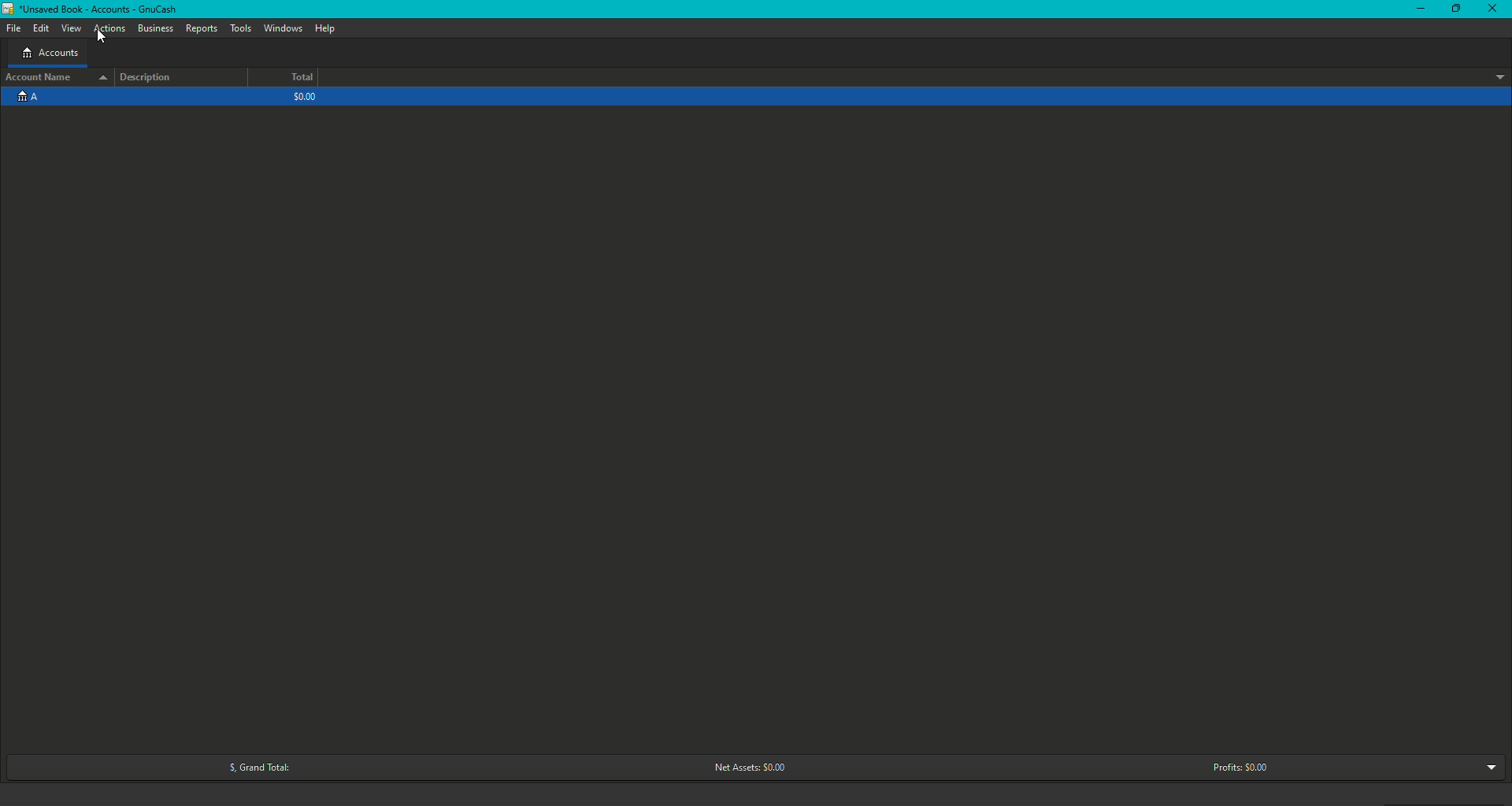  Describe the element at coordinates (287, 77) in the screenshot. I see `Total` at that location.